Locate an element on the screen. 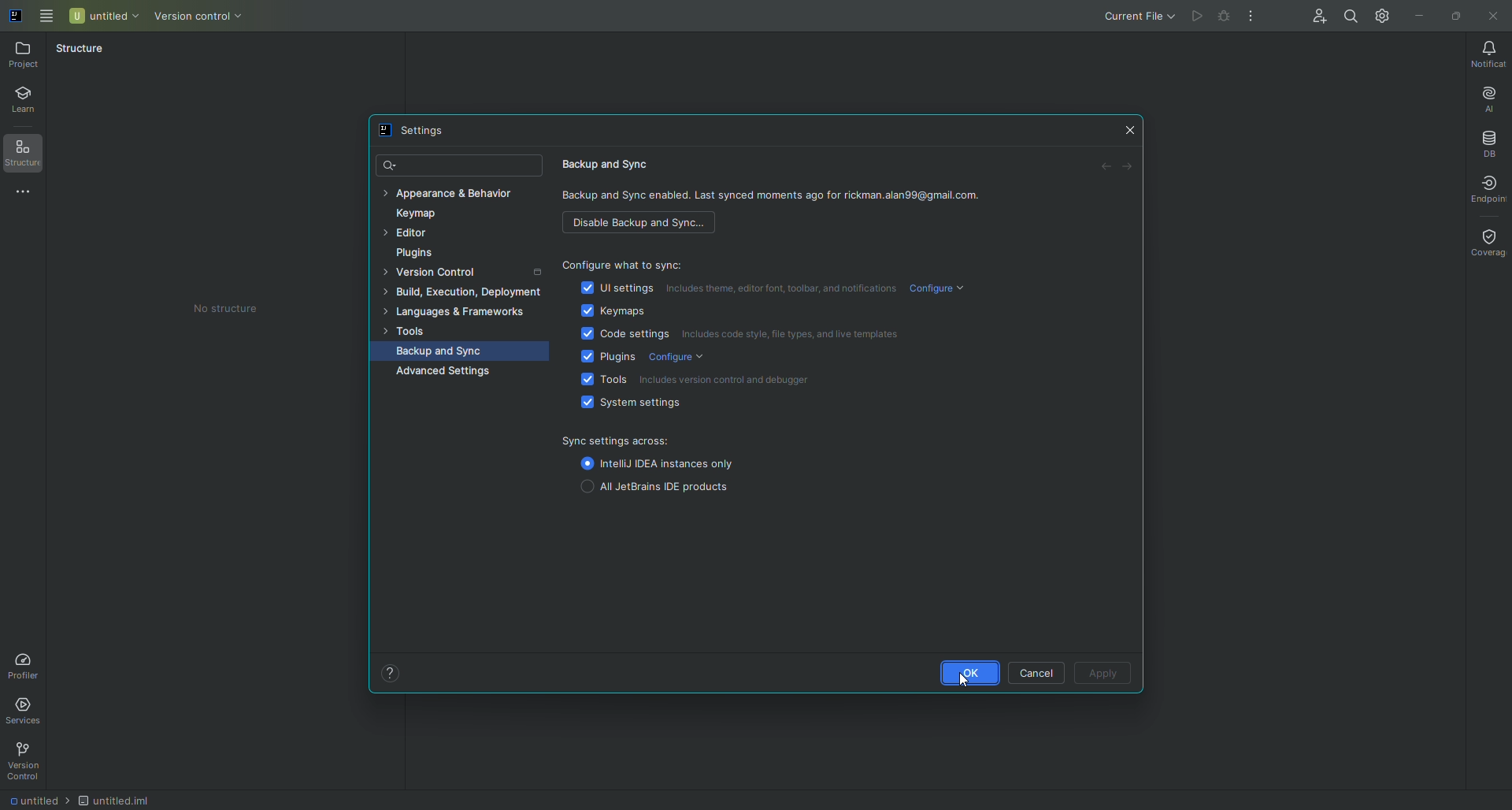 The width and height of the screenshot is (1512, 810). Cancel is located at coordinates (1034, 671).